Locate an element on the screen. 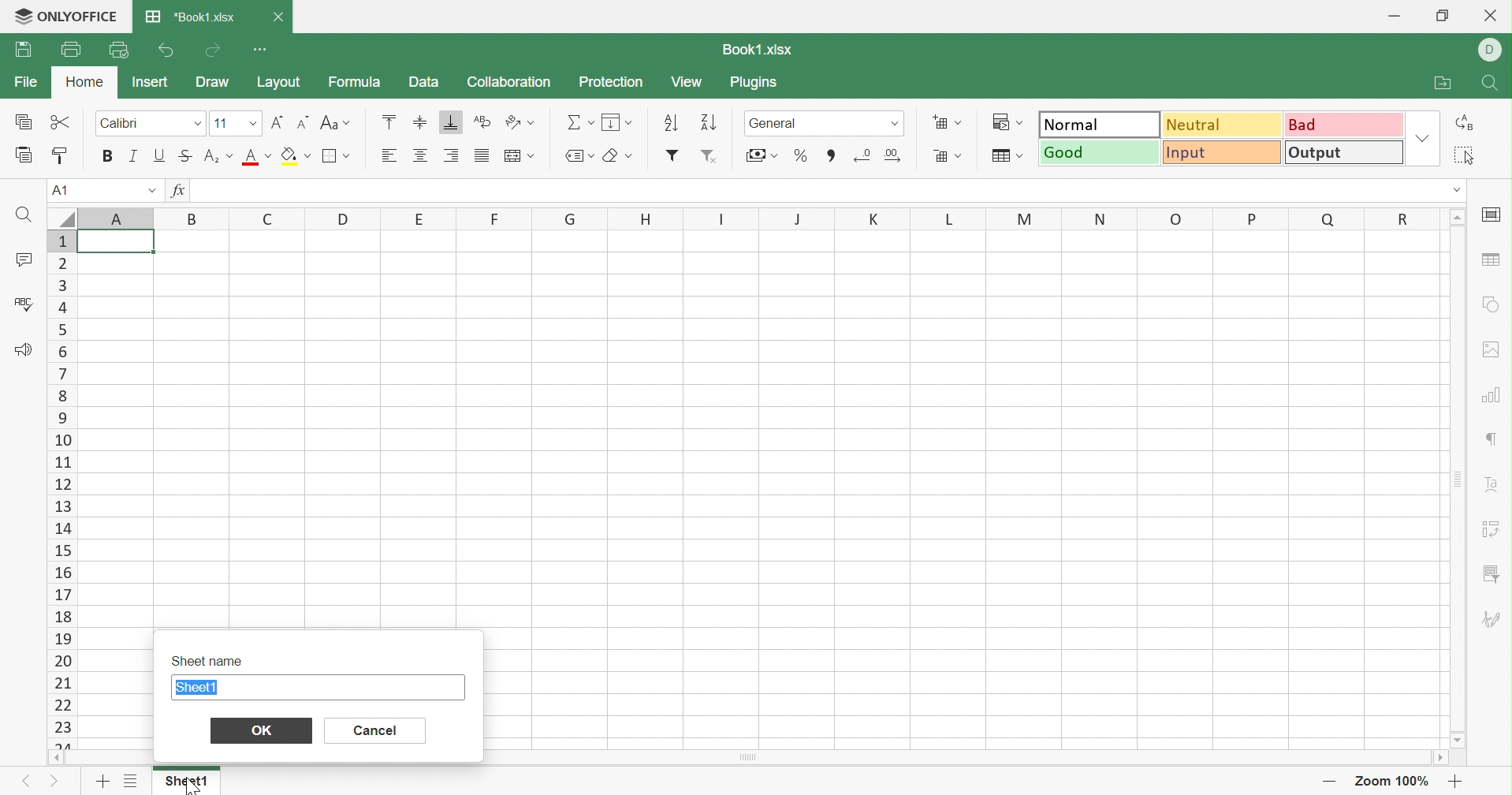 The height and width of the screenshot is (795, 1512). Copy Style is located at coordinates (61, 153).